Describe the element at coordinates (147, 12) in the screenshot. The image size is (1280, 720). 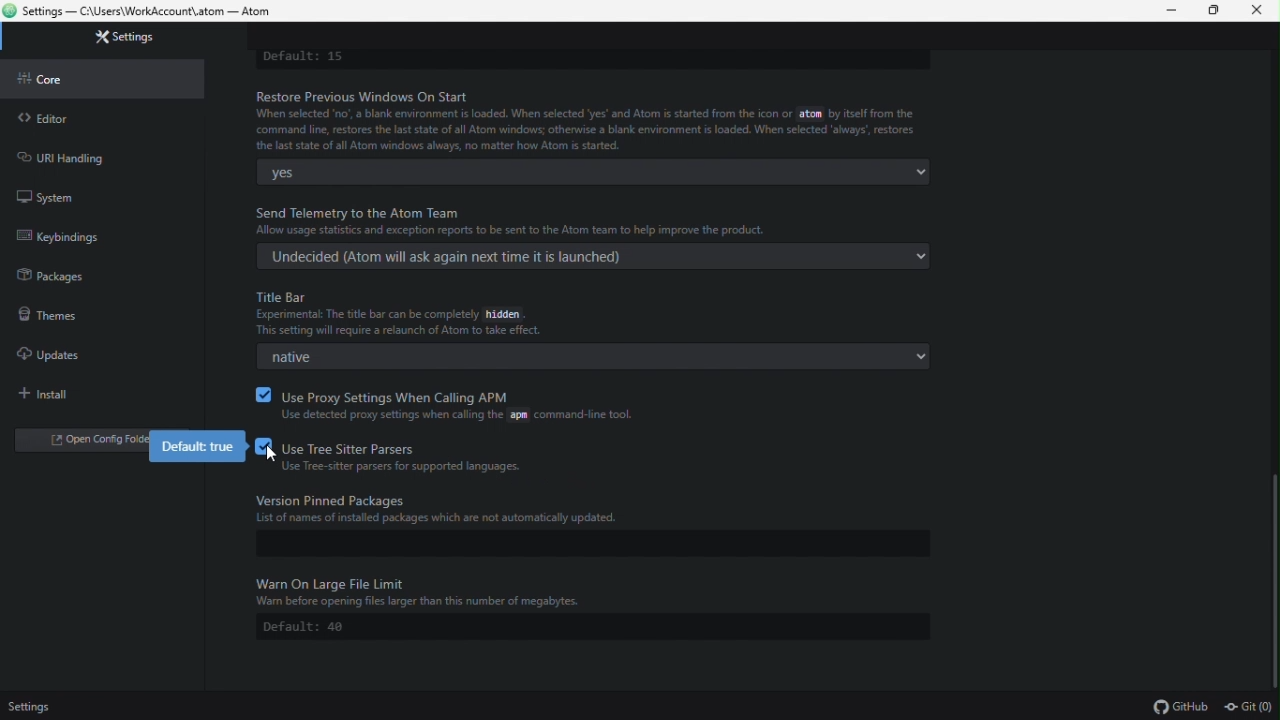
I see `file name and file path` at that location.